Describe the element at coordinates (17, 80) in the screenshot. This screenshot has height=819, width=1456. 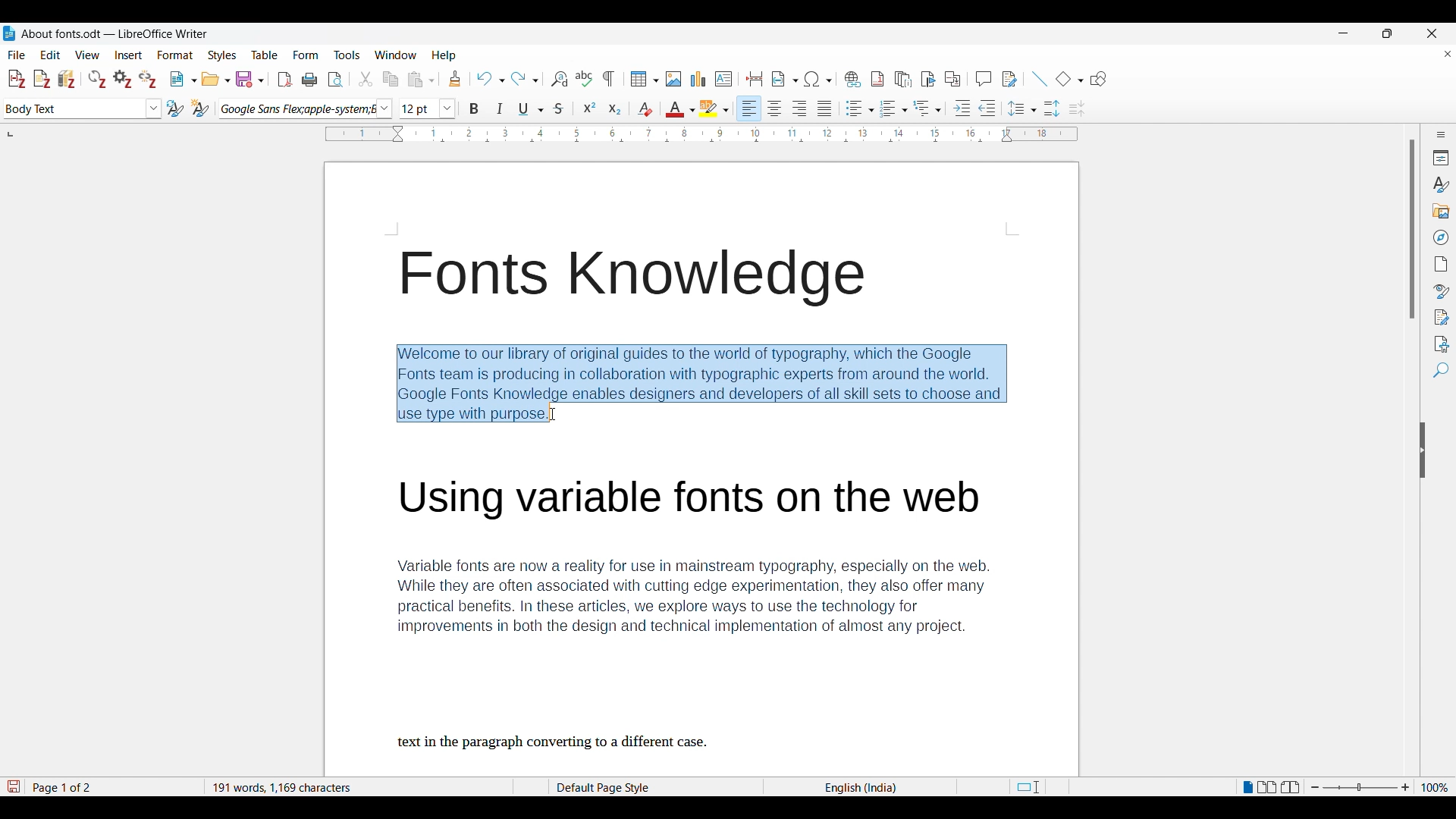
I see `Add\Edit citation` at that location.